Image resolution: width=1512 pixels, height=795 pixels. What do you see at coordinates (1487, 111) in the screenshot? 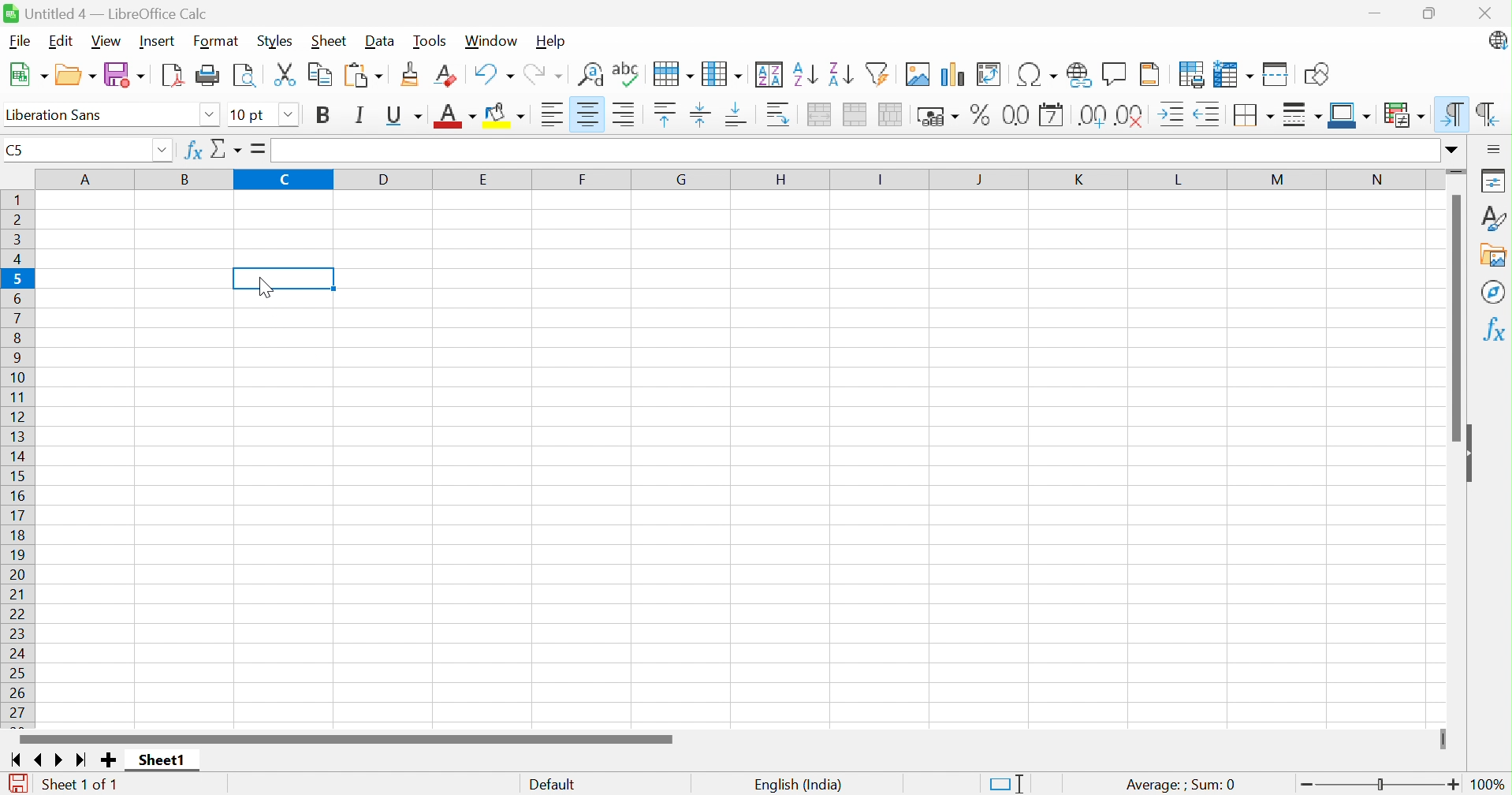
I see `Right-To-Left` at bounding box center [1487, 111].